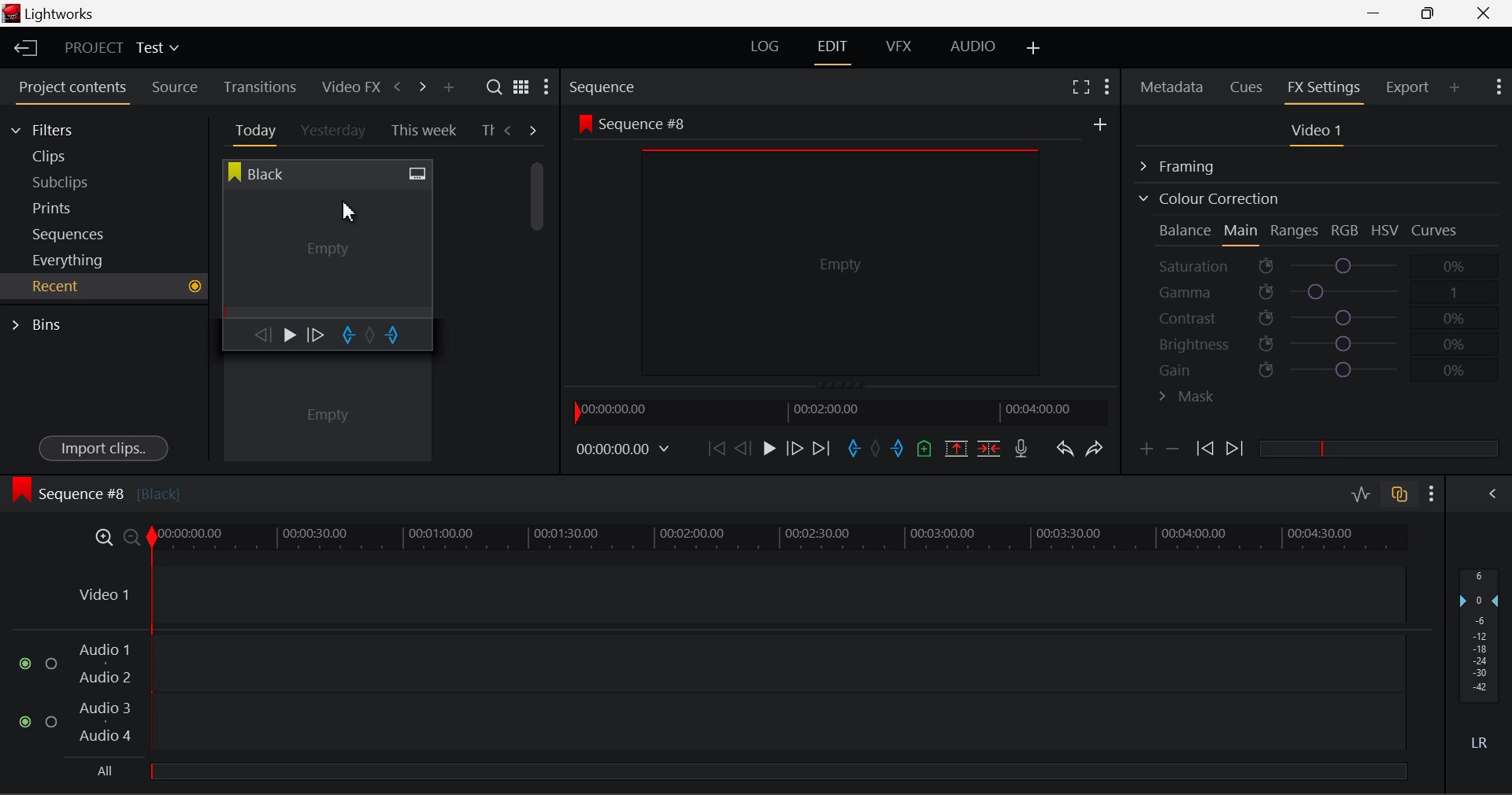 This screenshot has width=1512, height=795. I want to click on Previous keyframe, so click(1203, 449).